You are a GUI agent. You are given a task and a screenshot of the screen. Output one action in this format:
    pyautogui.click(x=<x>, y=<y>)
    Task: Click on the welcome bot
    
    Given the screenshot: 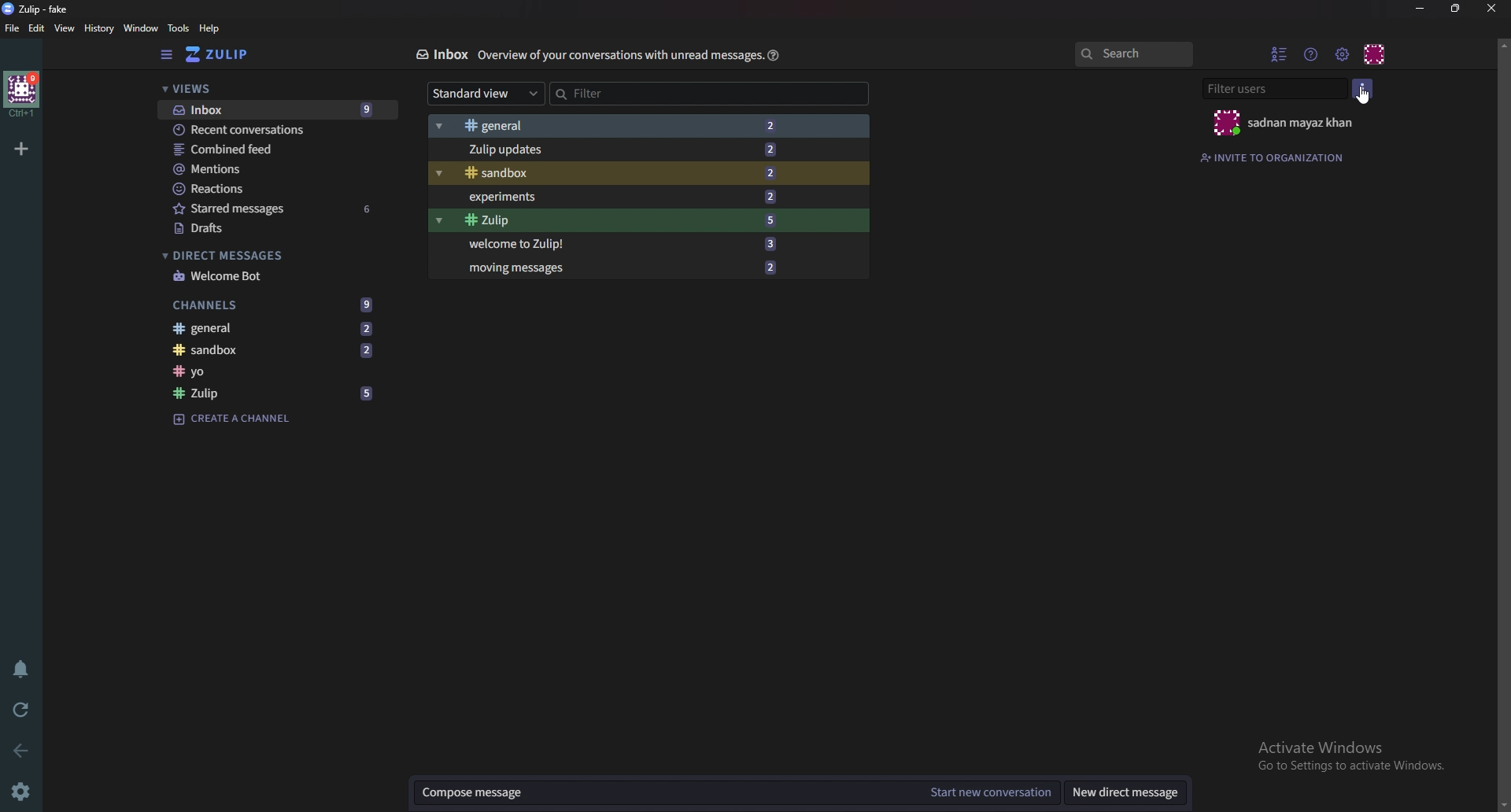 What is the action you would take?
    pyautogui.click(x=274, y=275)
    